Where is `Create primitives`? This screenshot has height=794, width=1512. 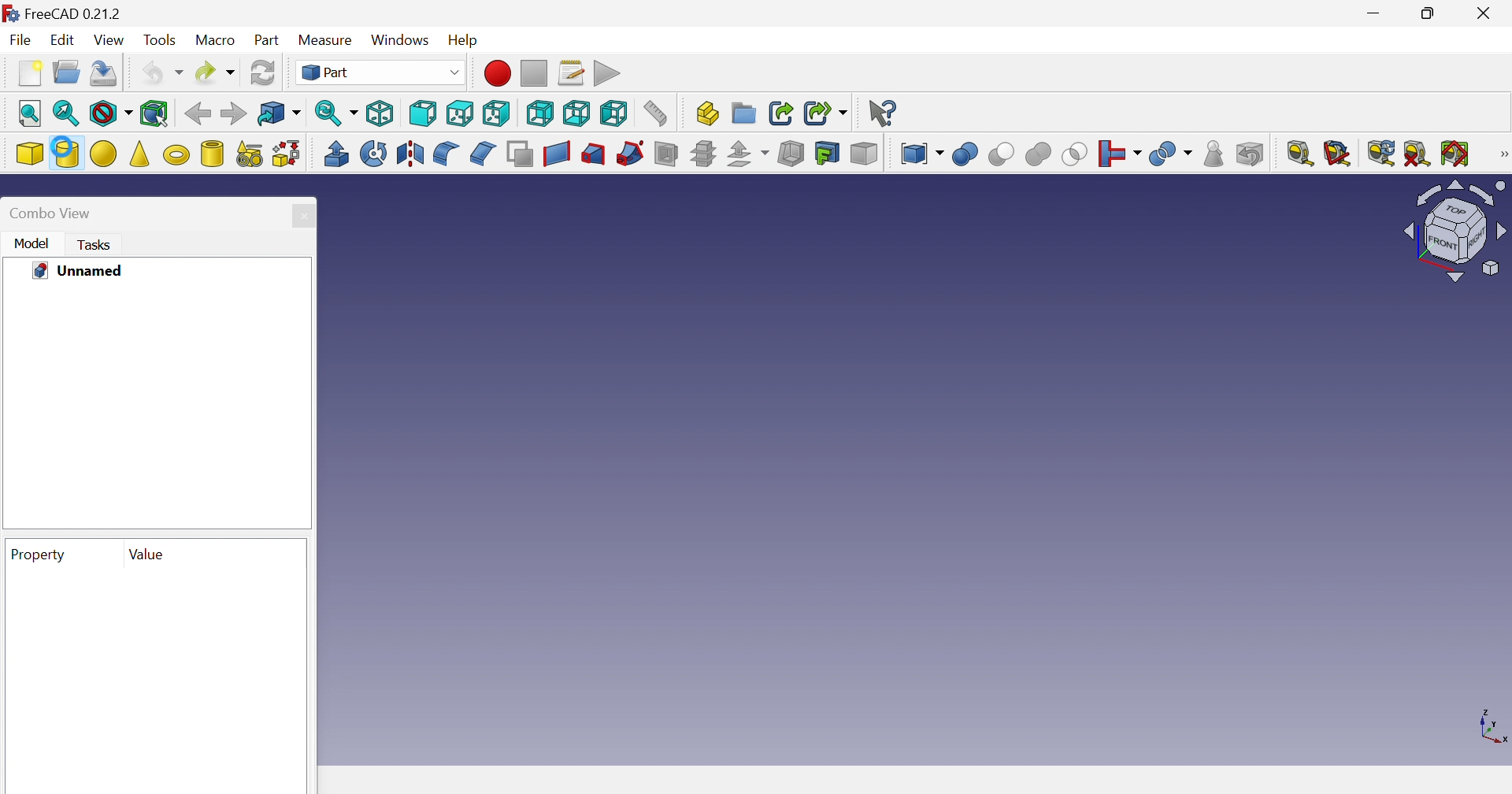
Create primitives is located at coordinates (249, 153).